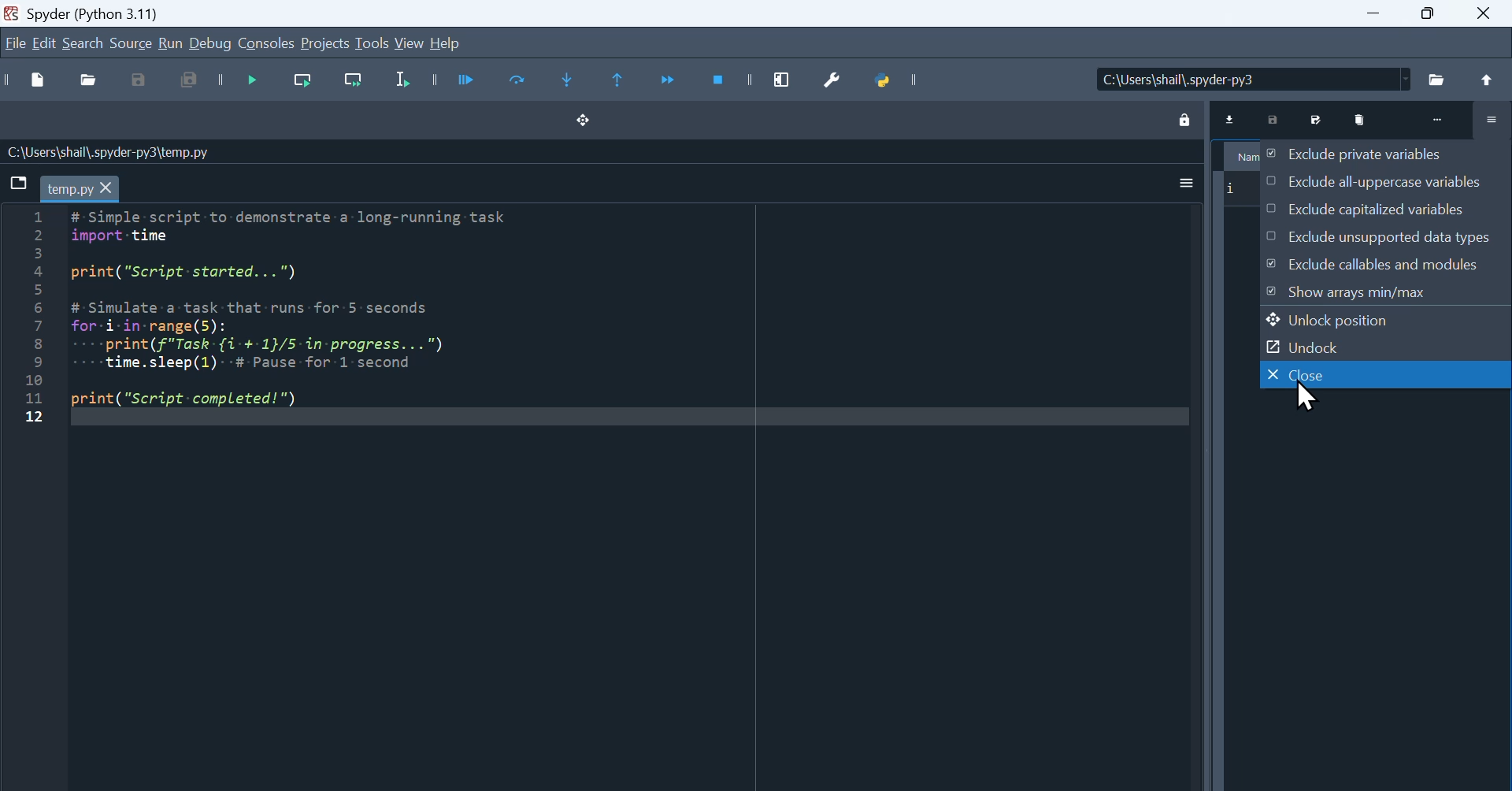 The width and height of the screenshot is (1512, 791). Describe the element at coordinates (253, 80) in the screenshot. I see `Debug file` at that location.